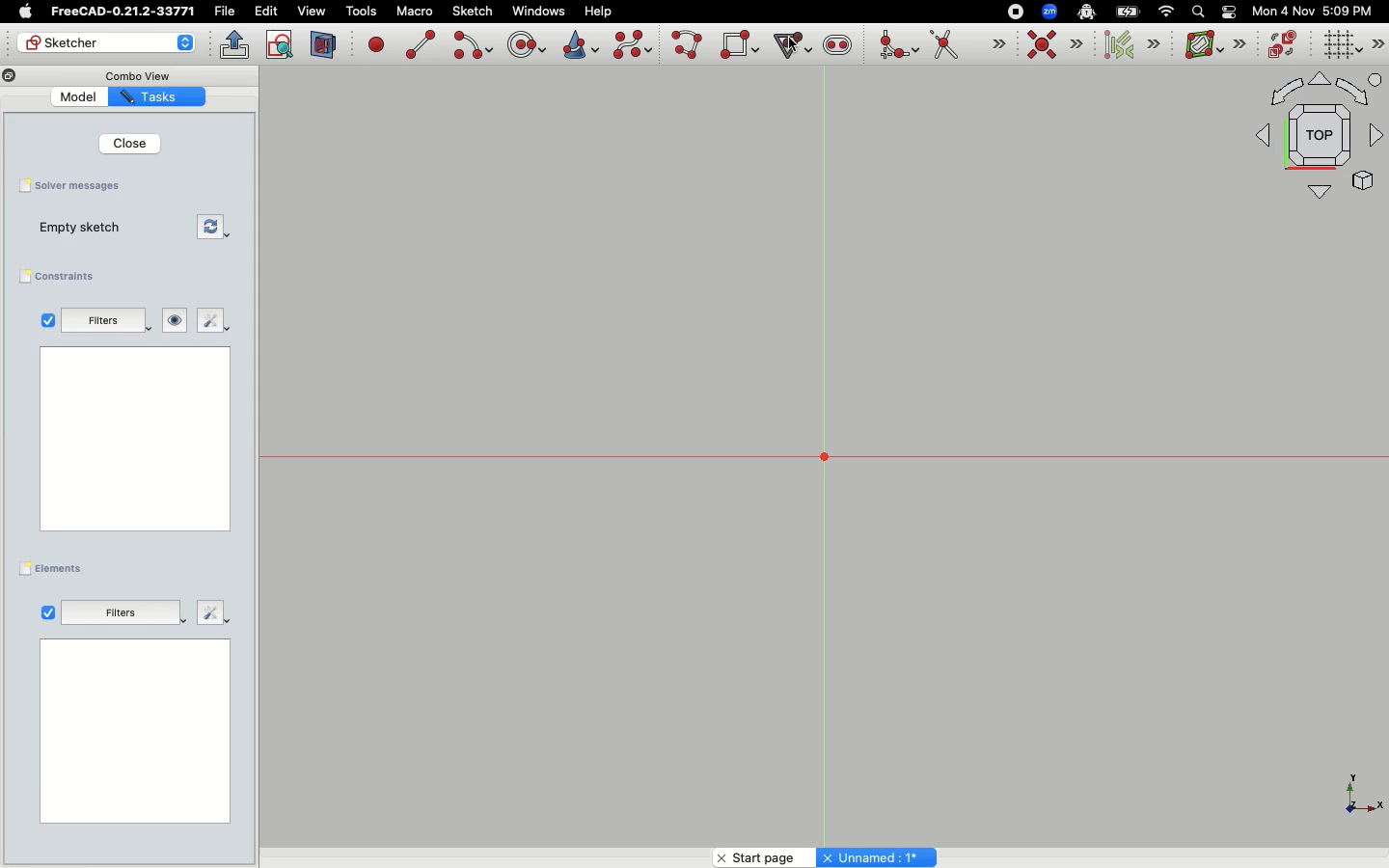  What do you see at coordinates (235, 44) in the screenshot?
I see `Leave sketch` at bounding box center [235, 44].